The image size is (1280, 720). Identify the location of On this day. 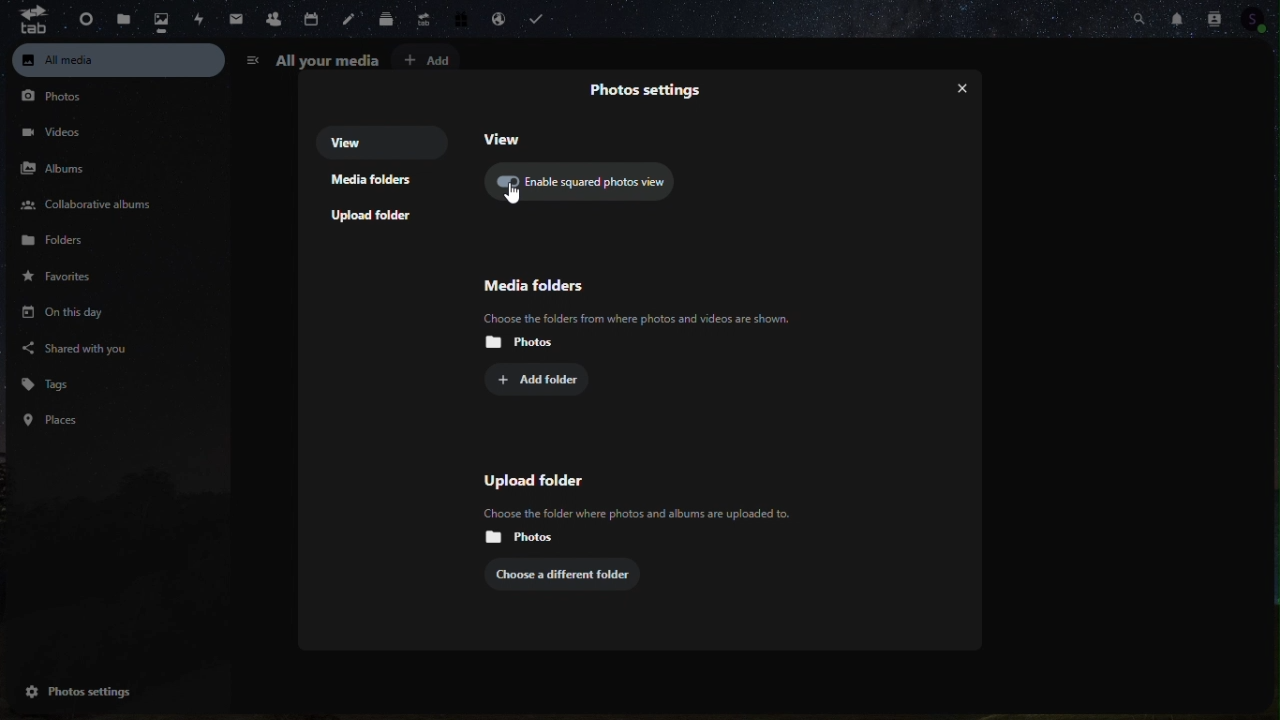
(59, 314).